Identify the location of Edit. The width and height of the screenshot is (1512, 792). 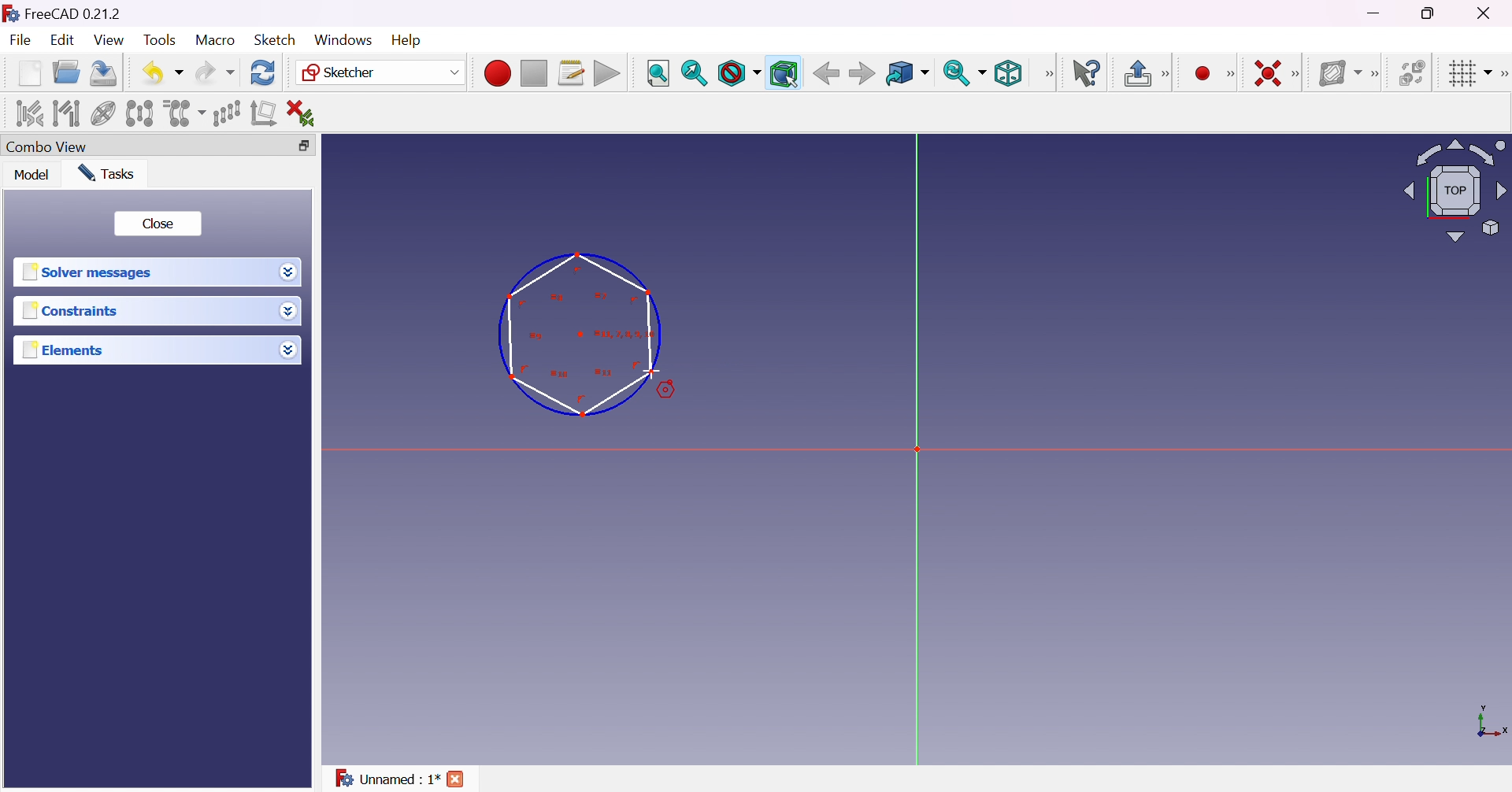
(65, 40).